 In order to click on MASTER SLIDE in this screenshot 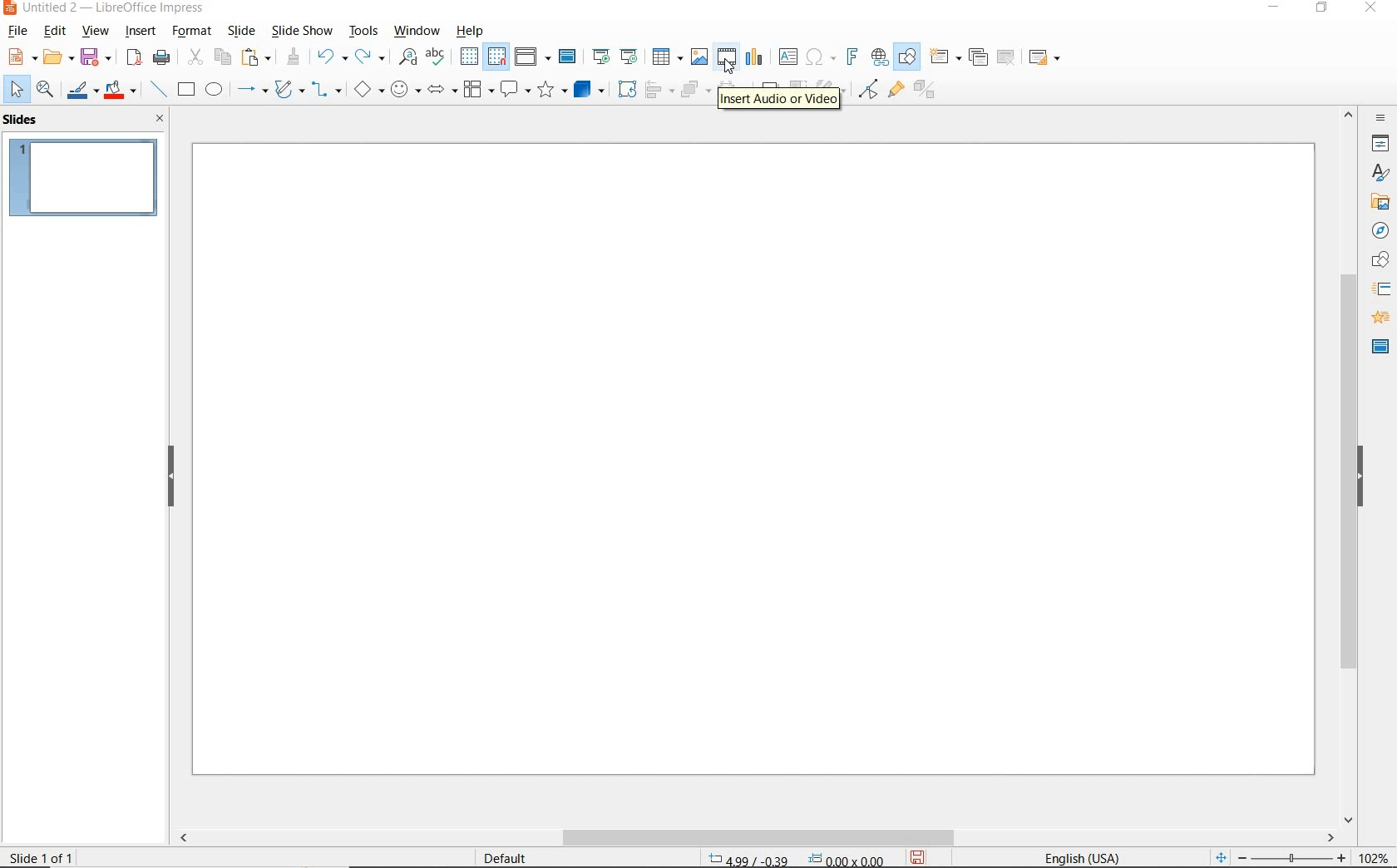, I will do `click(570, 57)`.